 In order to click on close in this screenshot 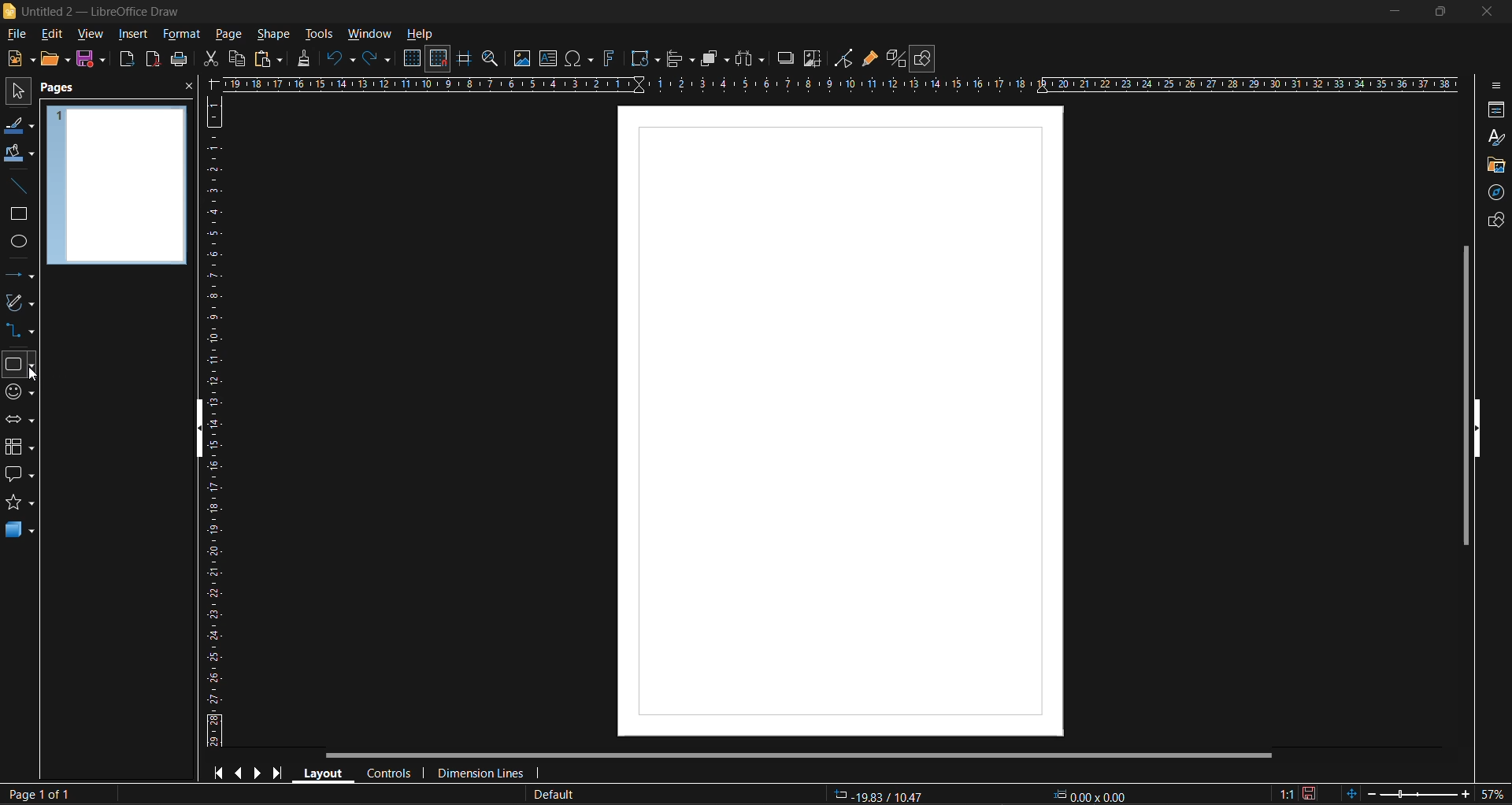, I will do `click(189, 87)`.